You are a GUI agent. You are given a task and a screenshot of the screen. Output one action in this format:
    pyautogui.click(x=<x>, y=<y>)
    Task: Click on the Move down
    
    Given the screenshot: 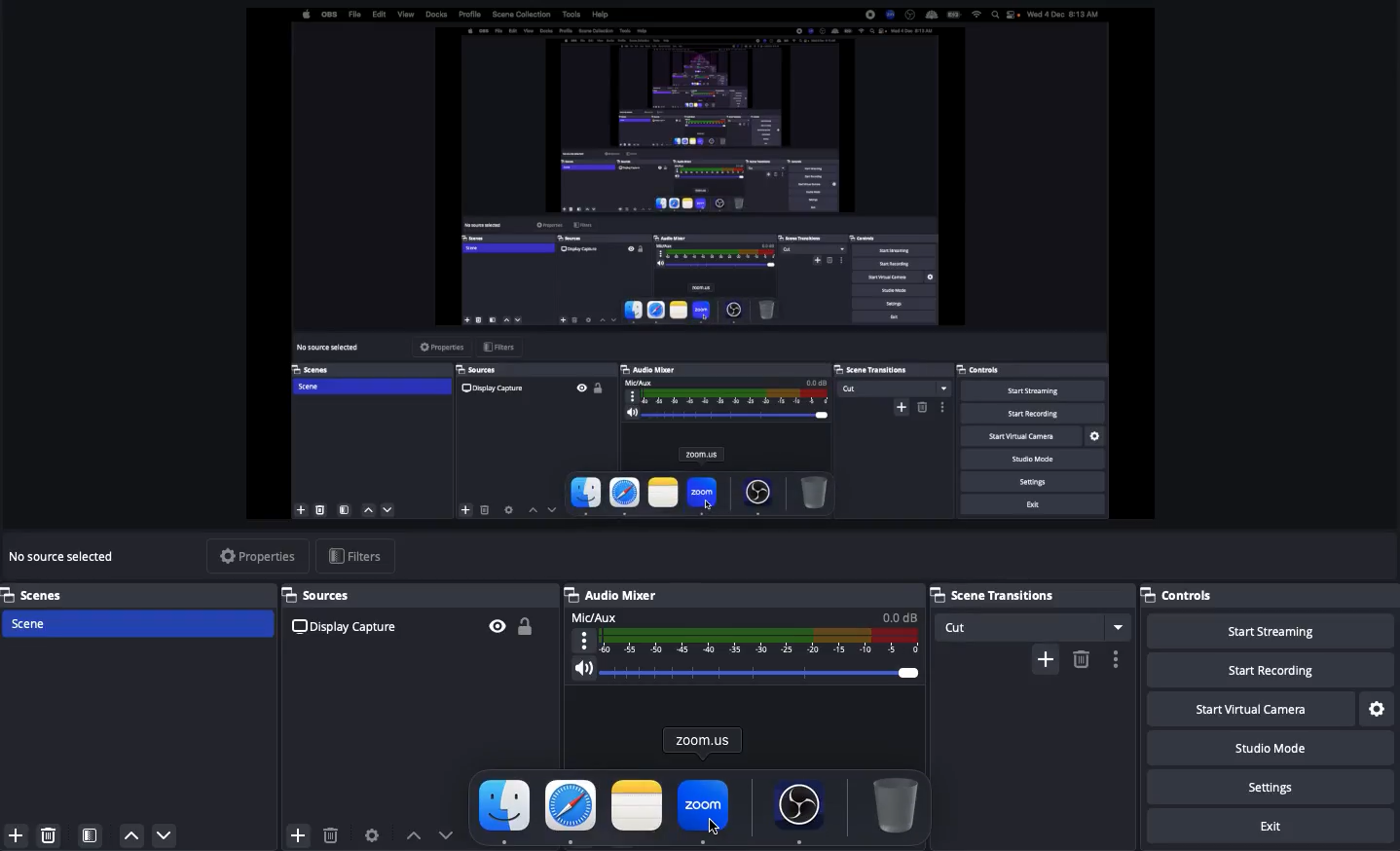 What is the action you would take?
    pyautogui.click(x=166, y=834)
    